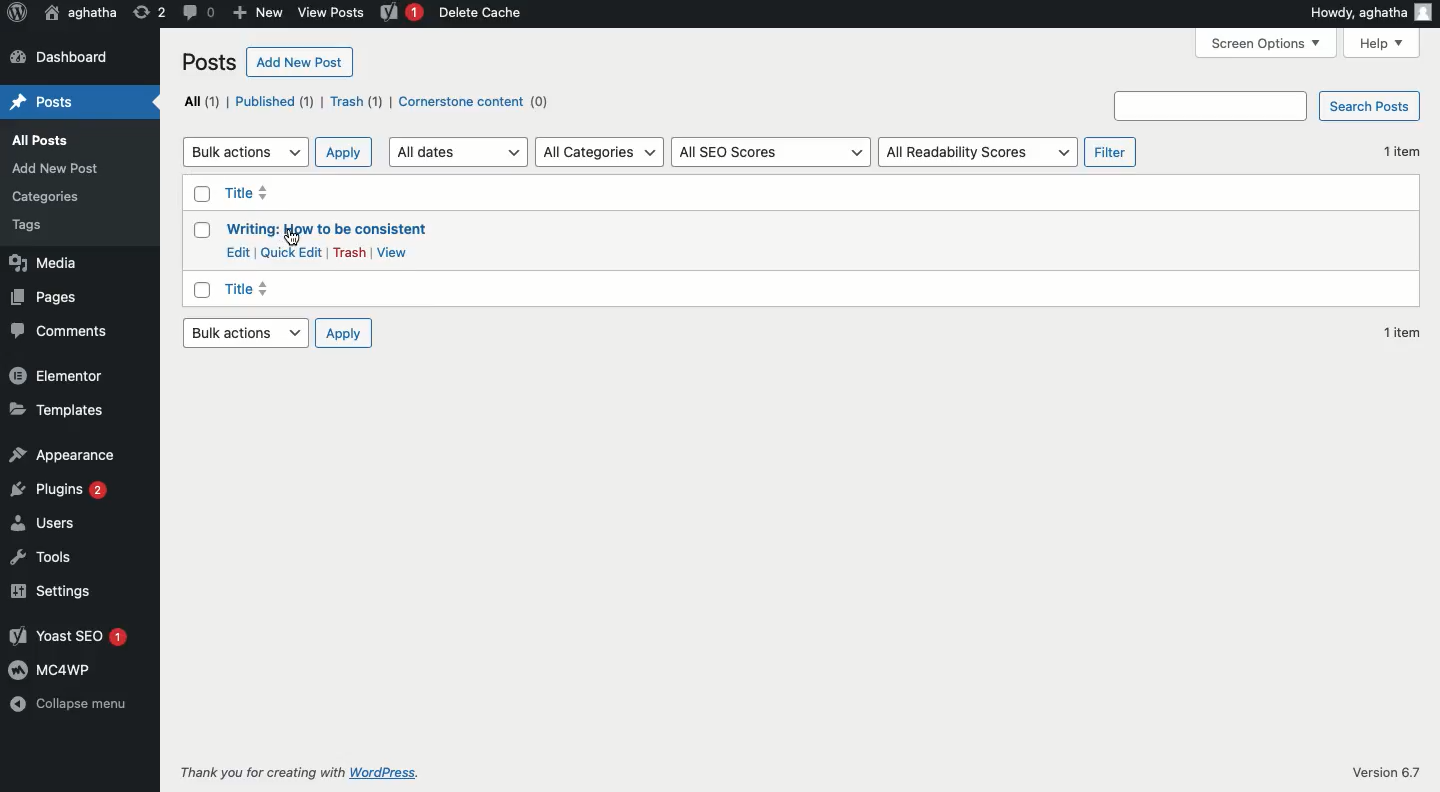 The height and width of the screenshot is (792, 1440). Describe the element at coordinates (1367, 105) in the screenshot. I see `Search posts` at that location.